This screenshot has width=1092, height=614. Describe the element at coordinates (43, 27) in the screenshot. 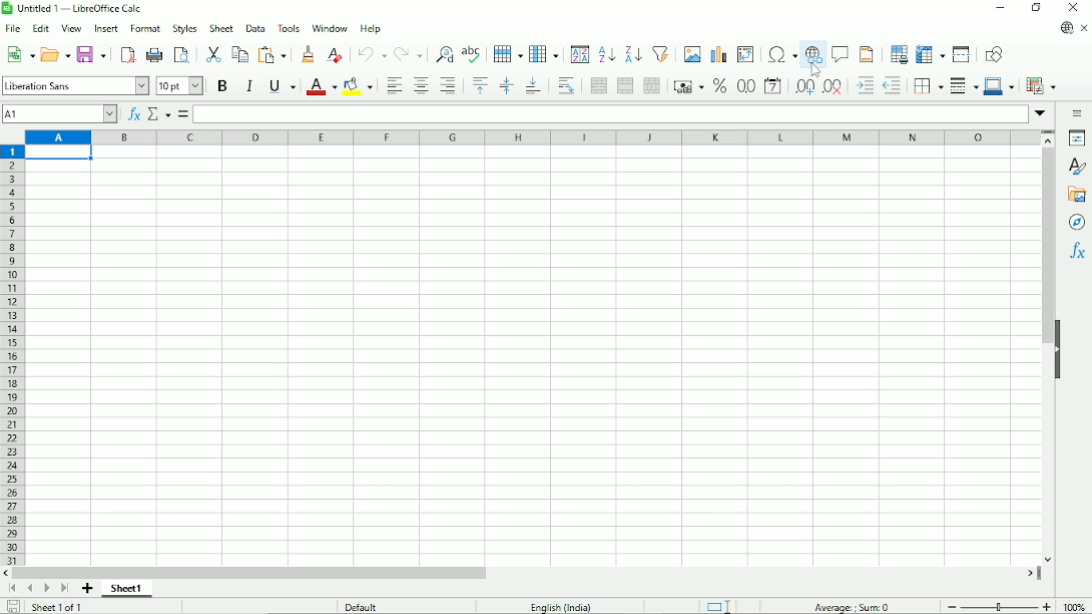

I see `edit` at that location.